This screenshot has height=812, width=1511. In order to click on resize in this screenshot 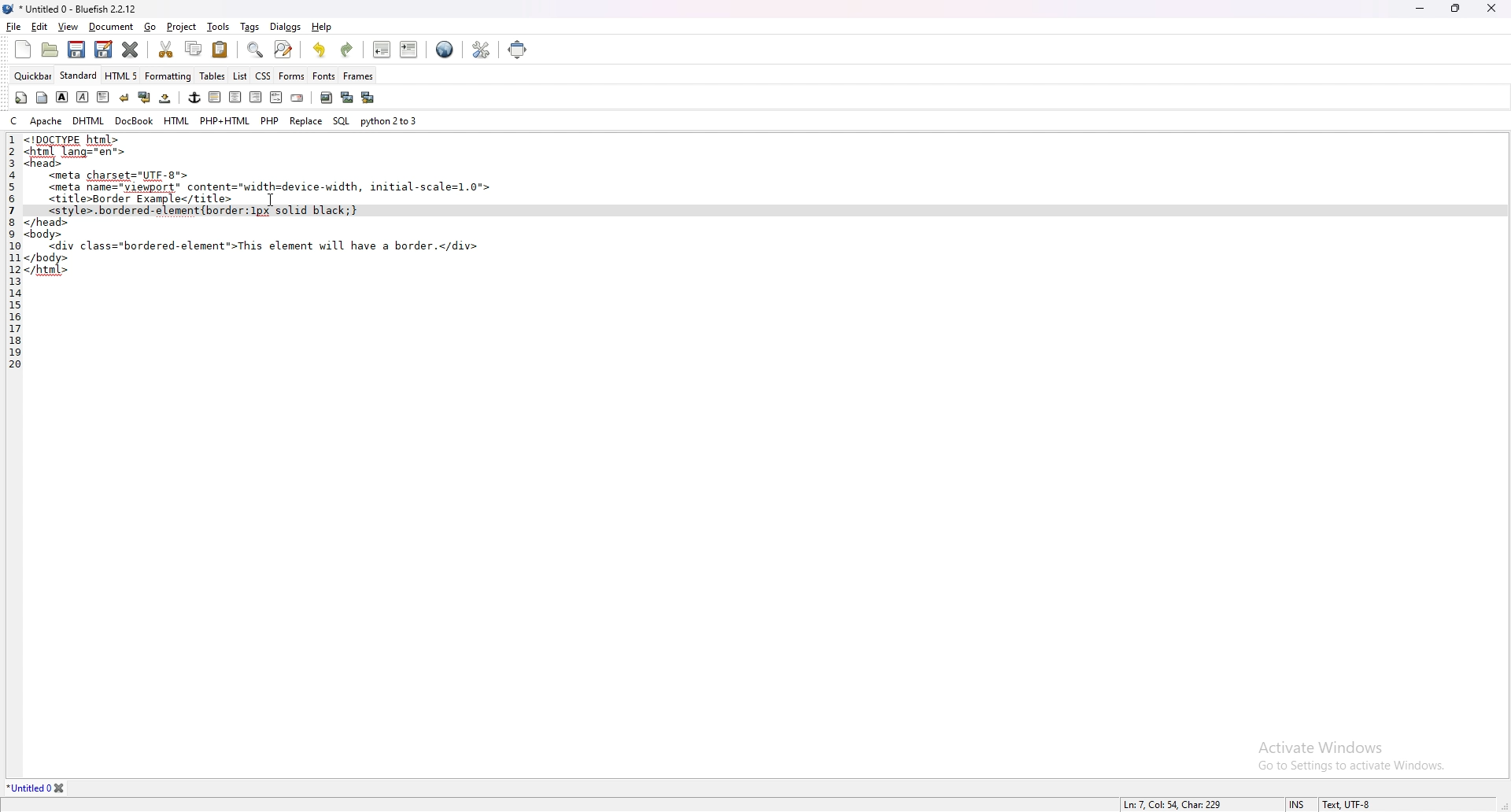, I will do `click(1456, 8)`.